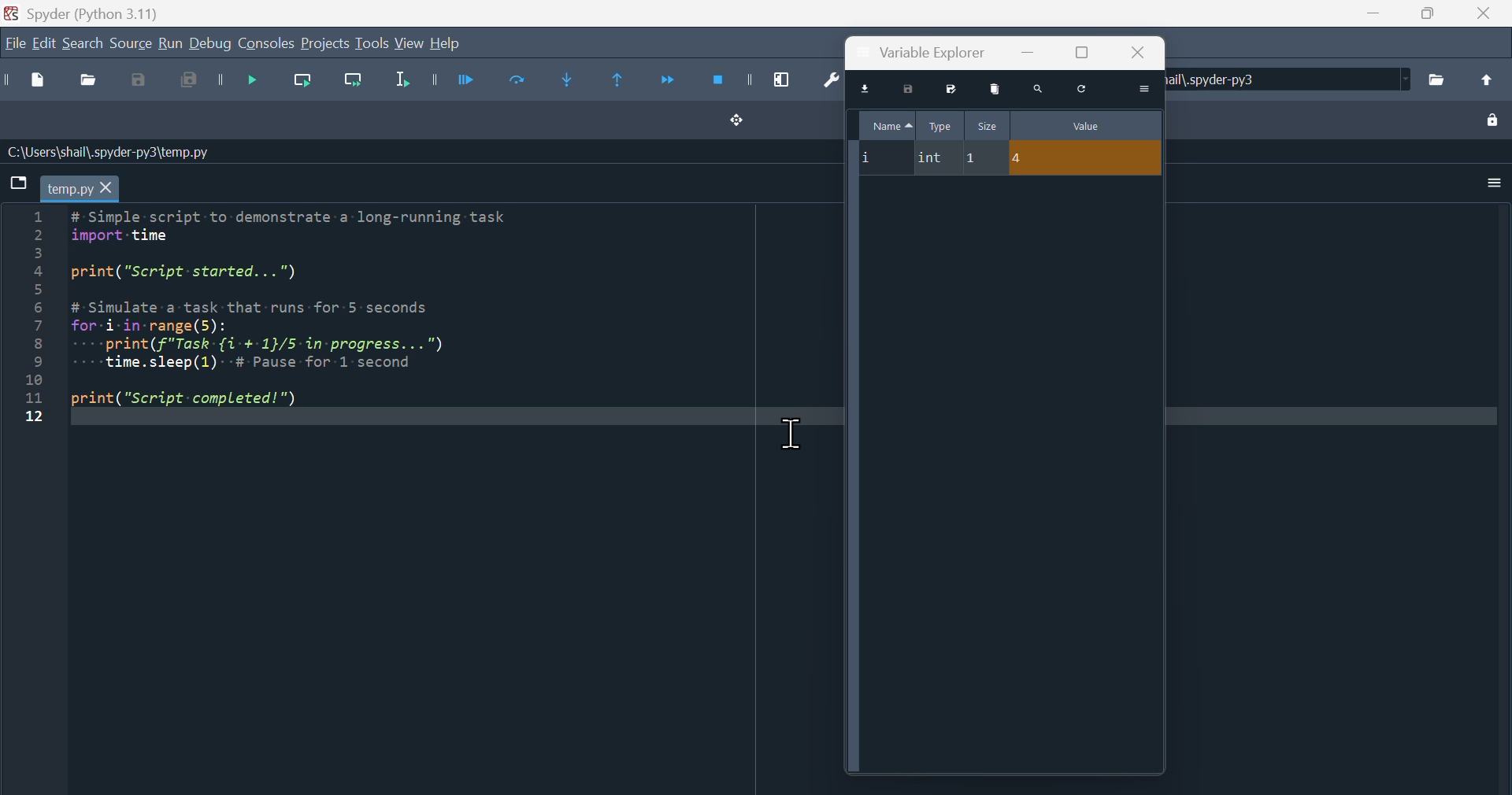 This screenshot has height=795, width=1512. What do you see at coordinates (995, 88) in the screenshot?
I see `remove all variables` at bounding box center [995, 88].